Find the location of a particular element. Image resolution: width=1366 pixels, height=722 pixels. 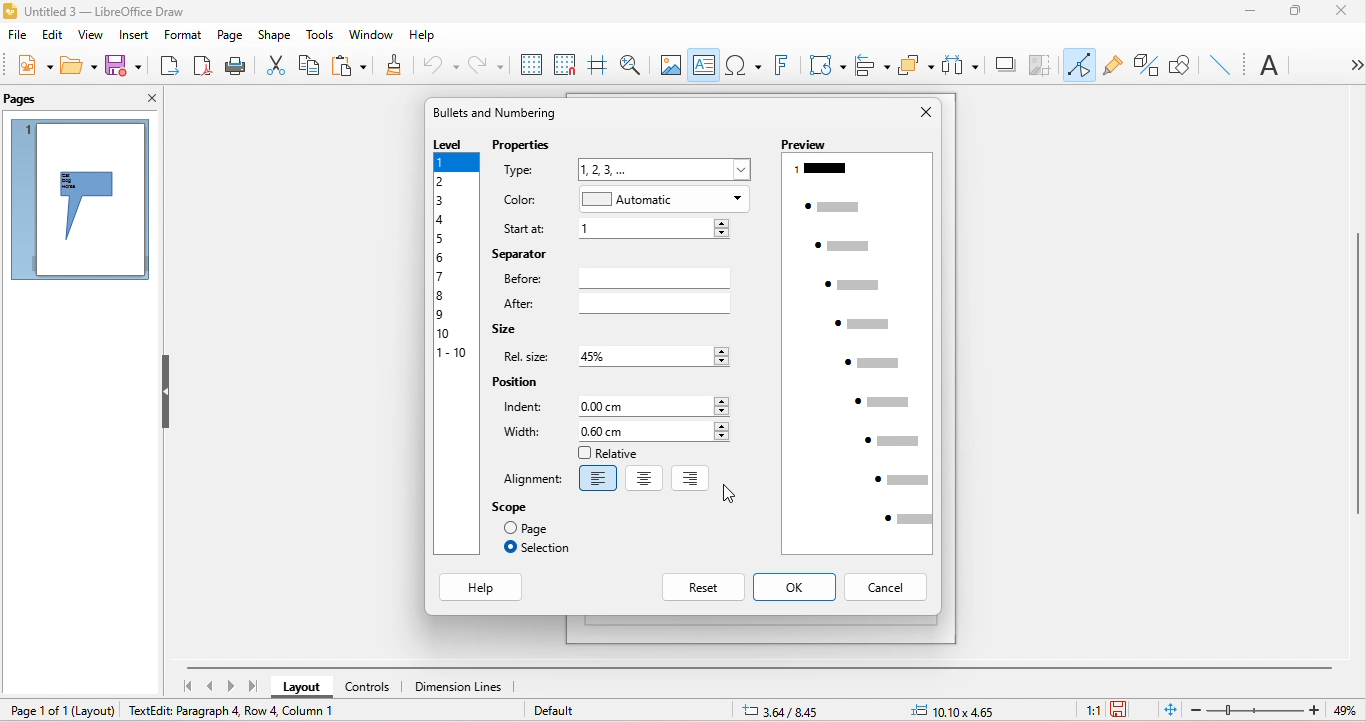

arrange is located at coordinates (917, 66).